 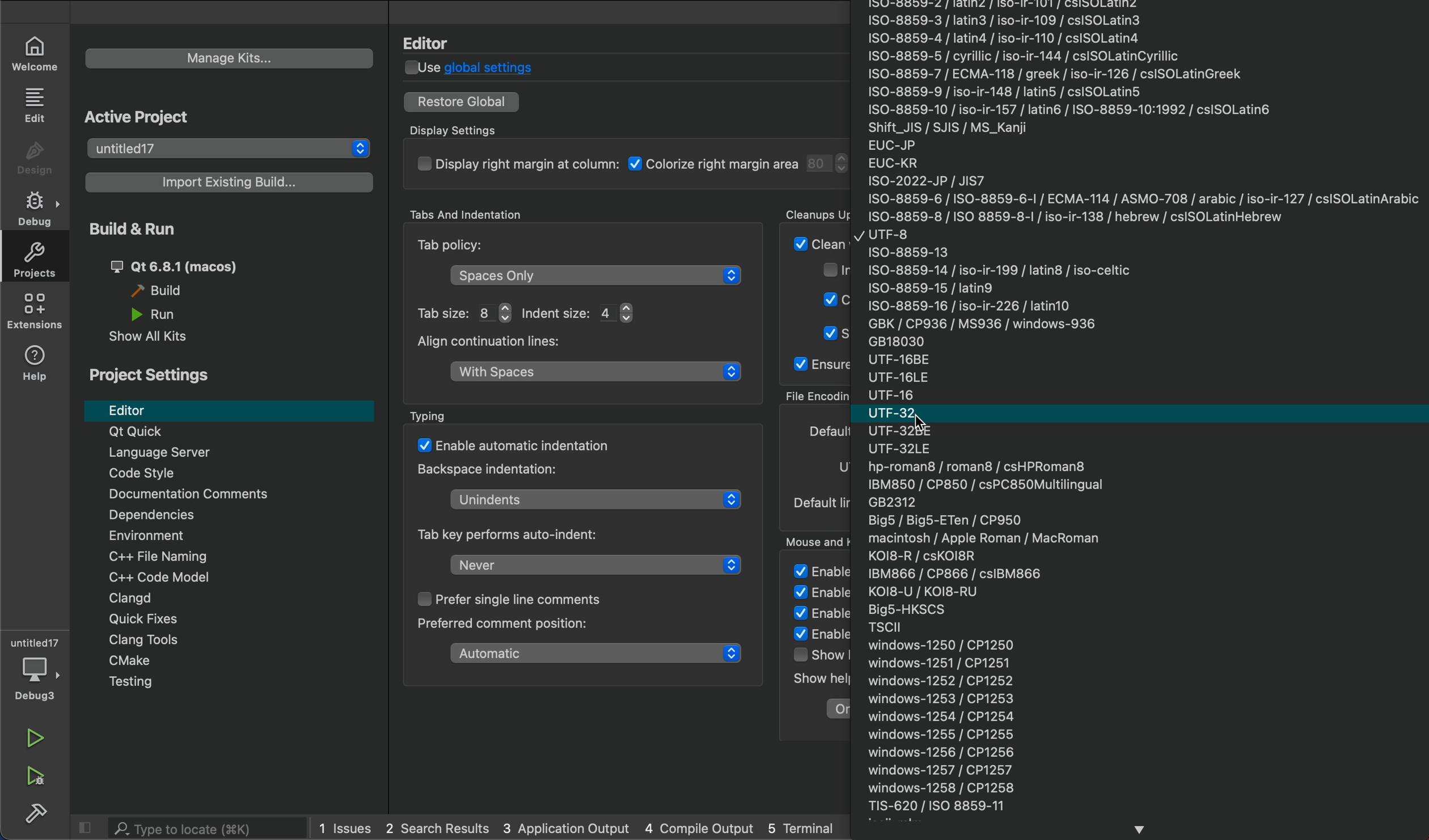 What do you see at coordinates (503, 342) in the screenshot?
I see `Align continuation lines:` at bounding box center [503, 342].